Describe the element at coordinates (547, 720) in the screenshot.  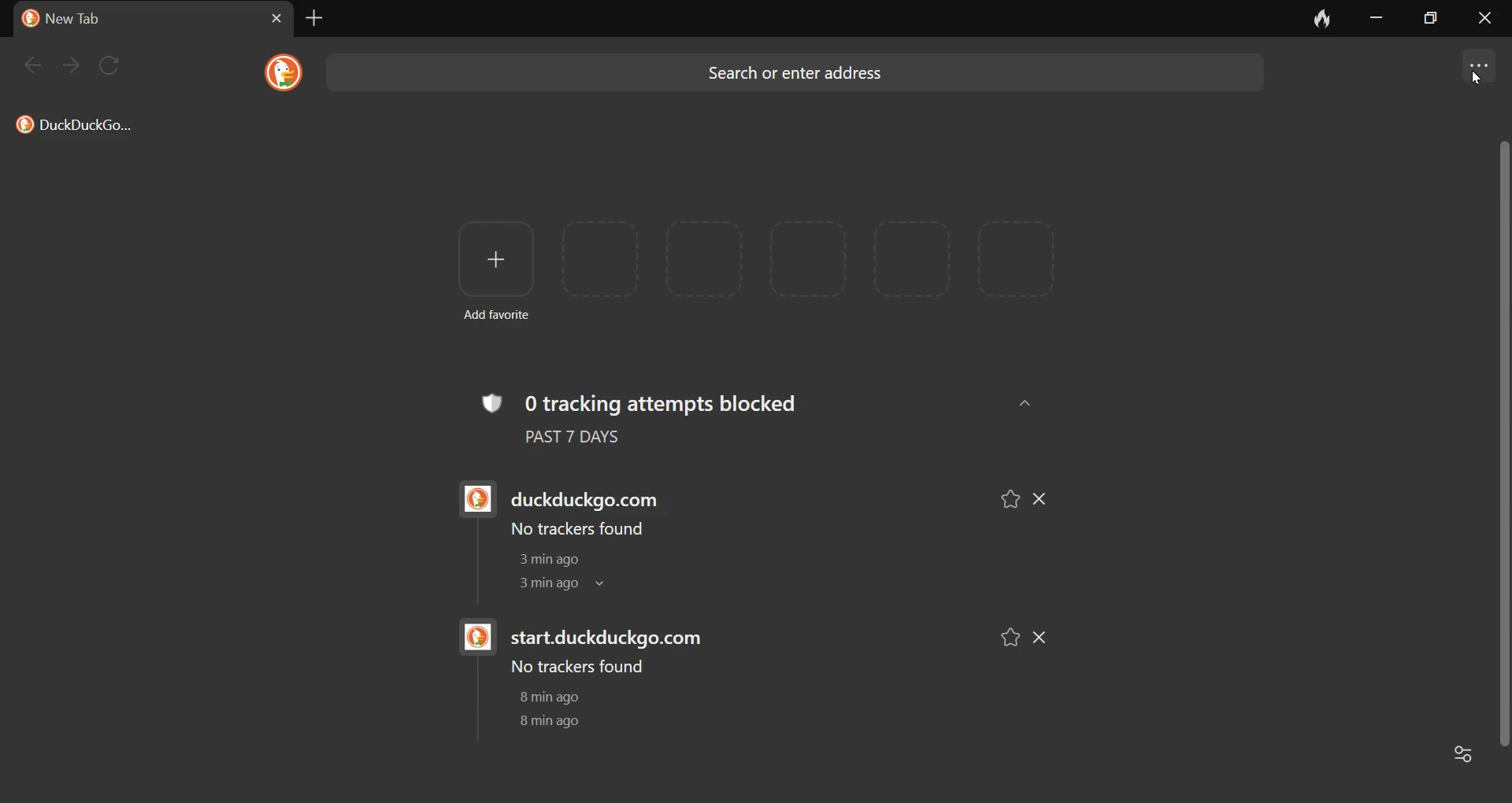
I see `8 min ago` at that location.